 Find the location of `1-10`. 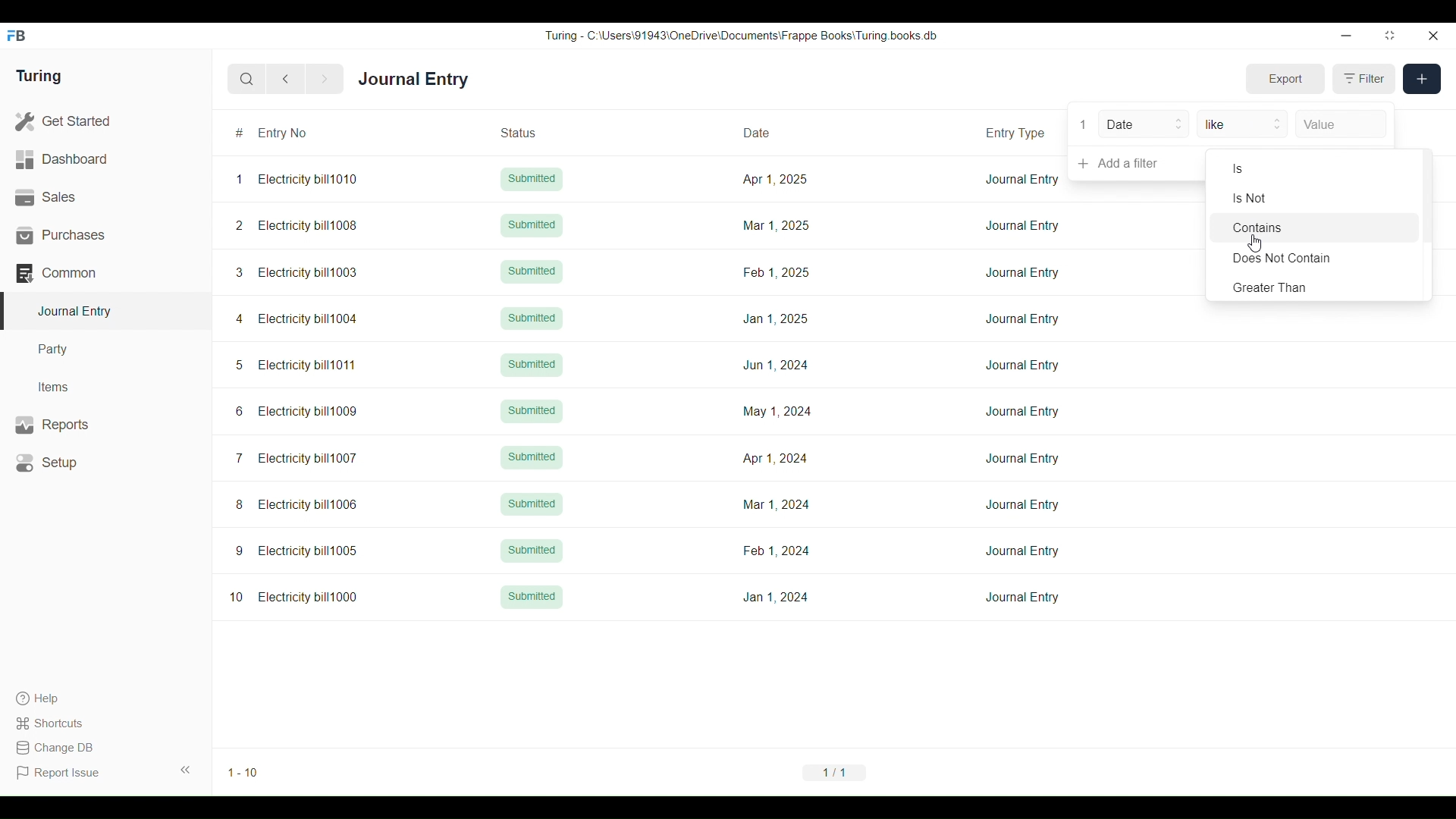

1-10 is located at coordinates (243, 773).